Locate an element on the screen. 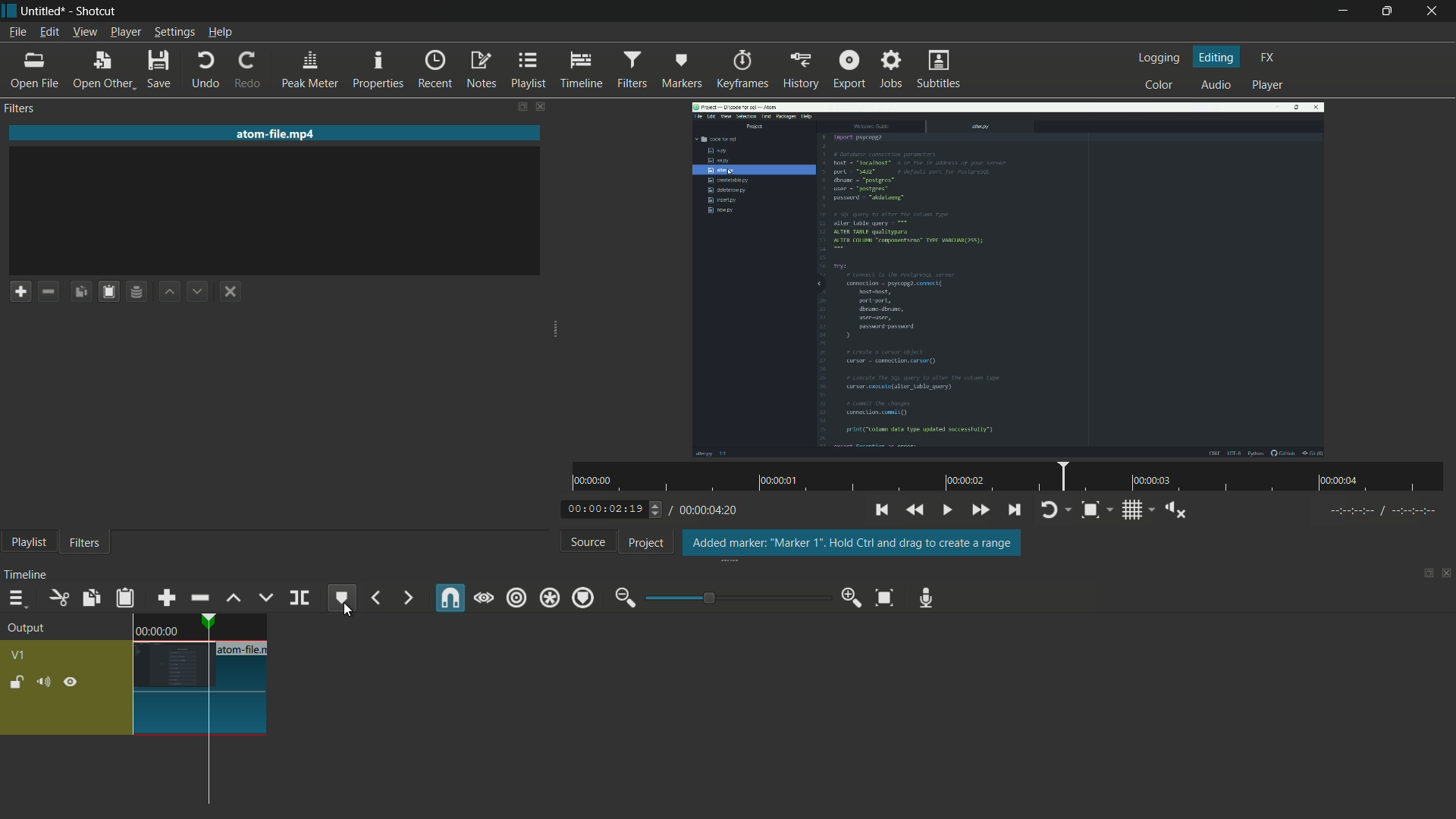 Image resolution: width=1456 pixels, height=819 pixels. quickly play forward is located at coordinates (977, 511).